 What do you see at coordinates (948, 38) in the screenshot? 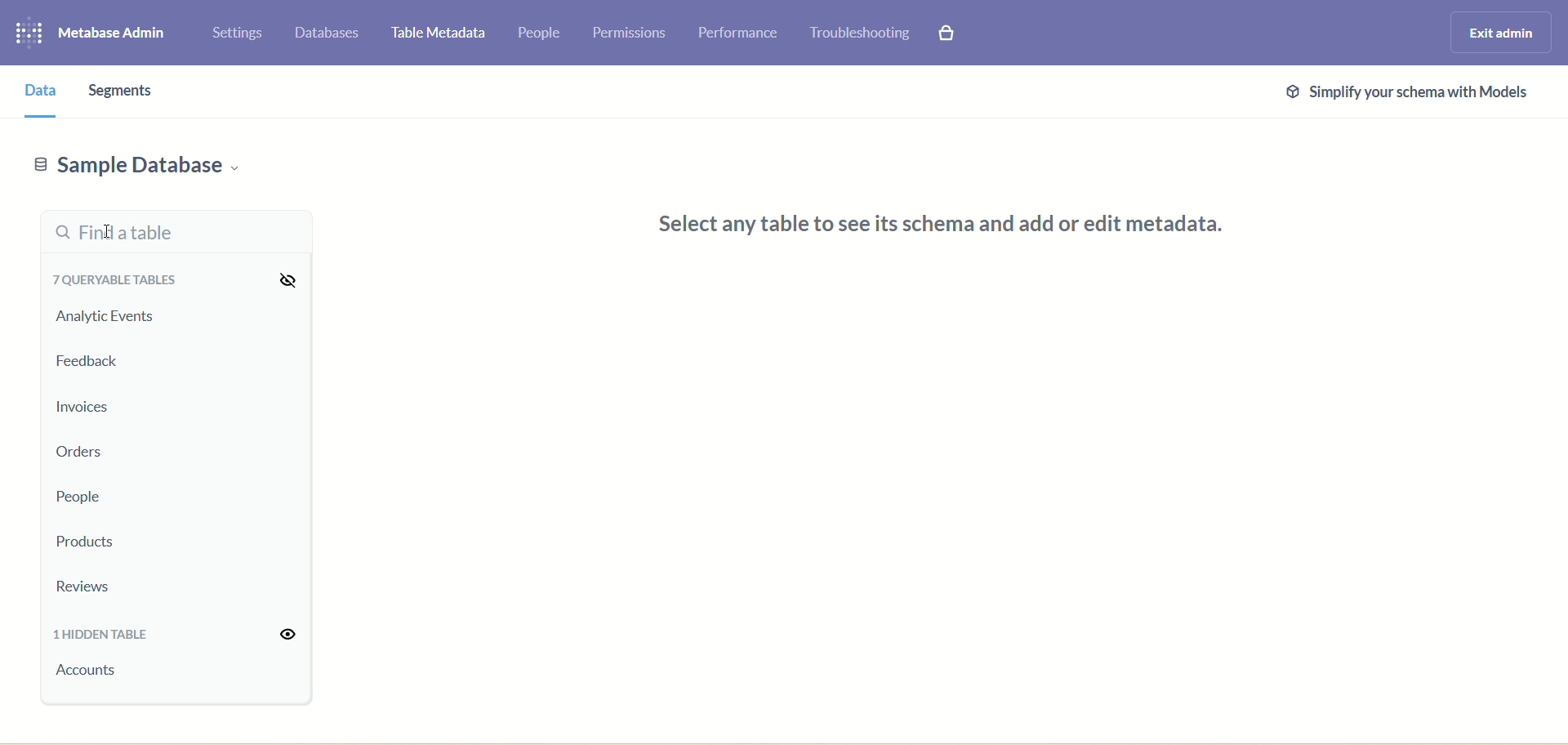
I see `paid features` at bounding box center [948, 38].